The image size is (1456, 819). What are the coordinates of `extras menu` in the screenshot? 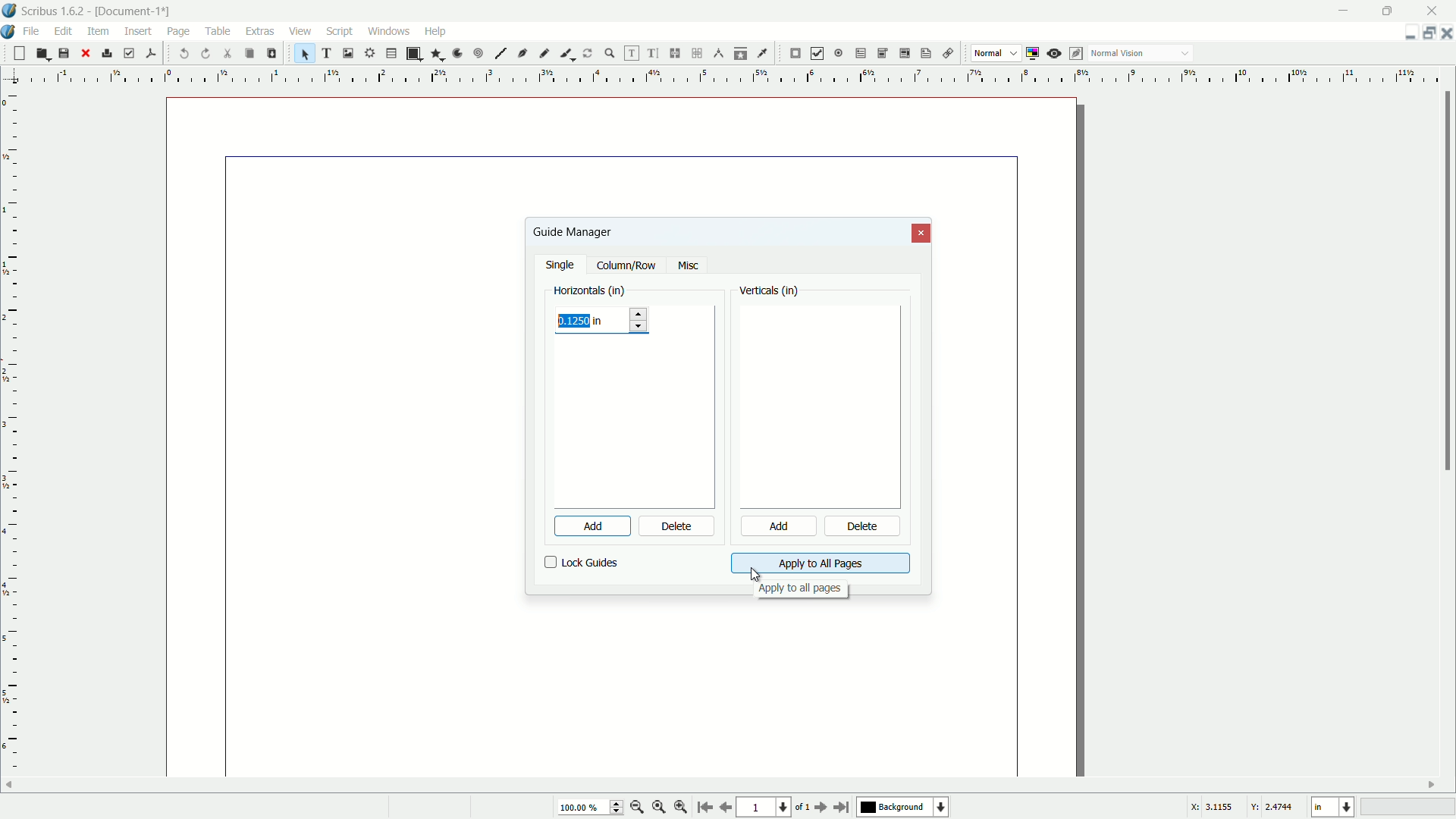 It's located at (261, 31).